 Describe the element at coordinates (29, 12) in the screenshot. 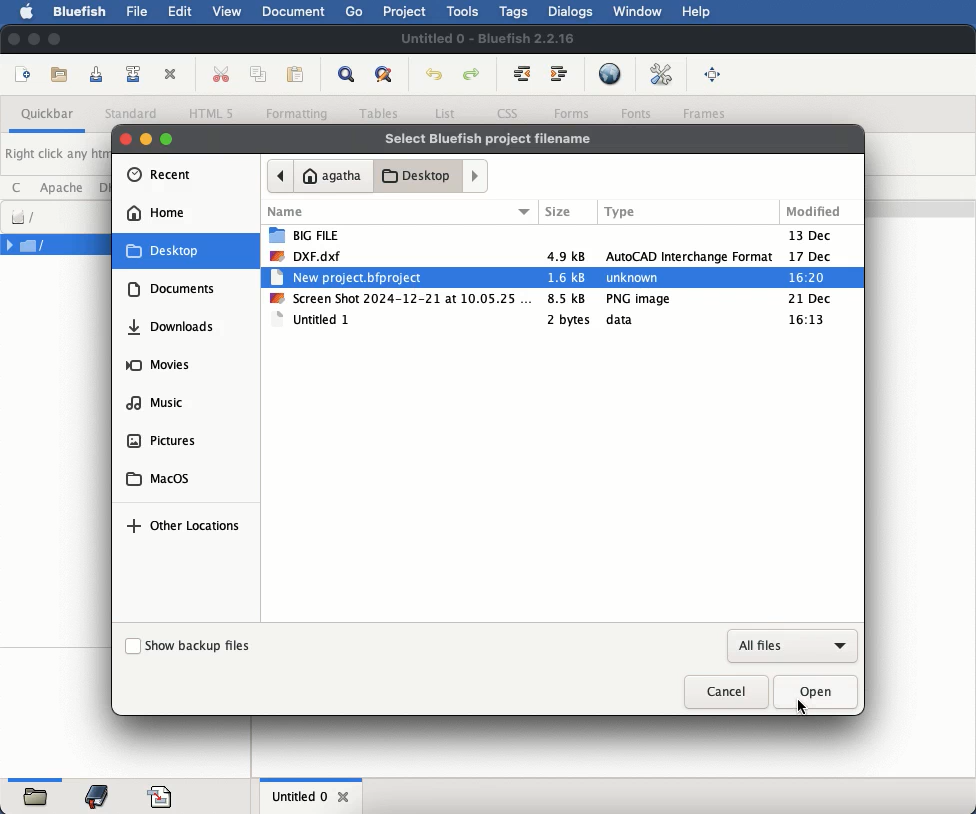

I see `apple` at that location.